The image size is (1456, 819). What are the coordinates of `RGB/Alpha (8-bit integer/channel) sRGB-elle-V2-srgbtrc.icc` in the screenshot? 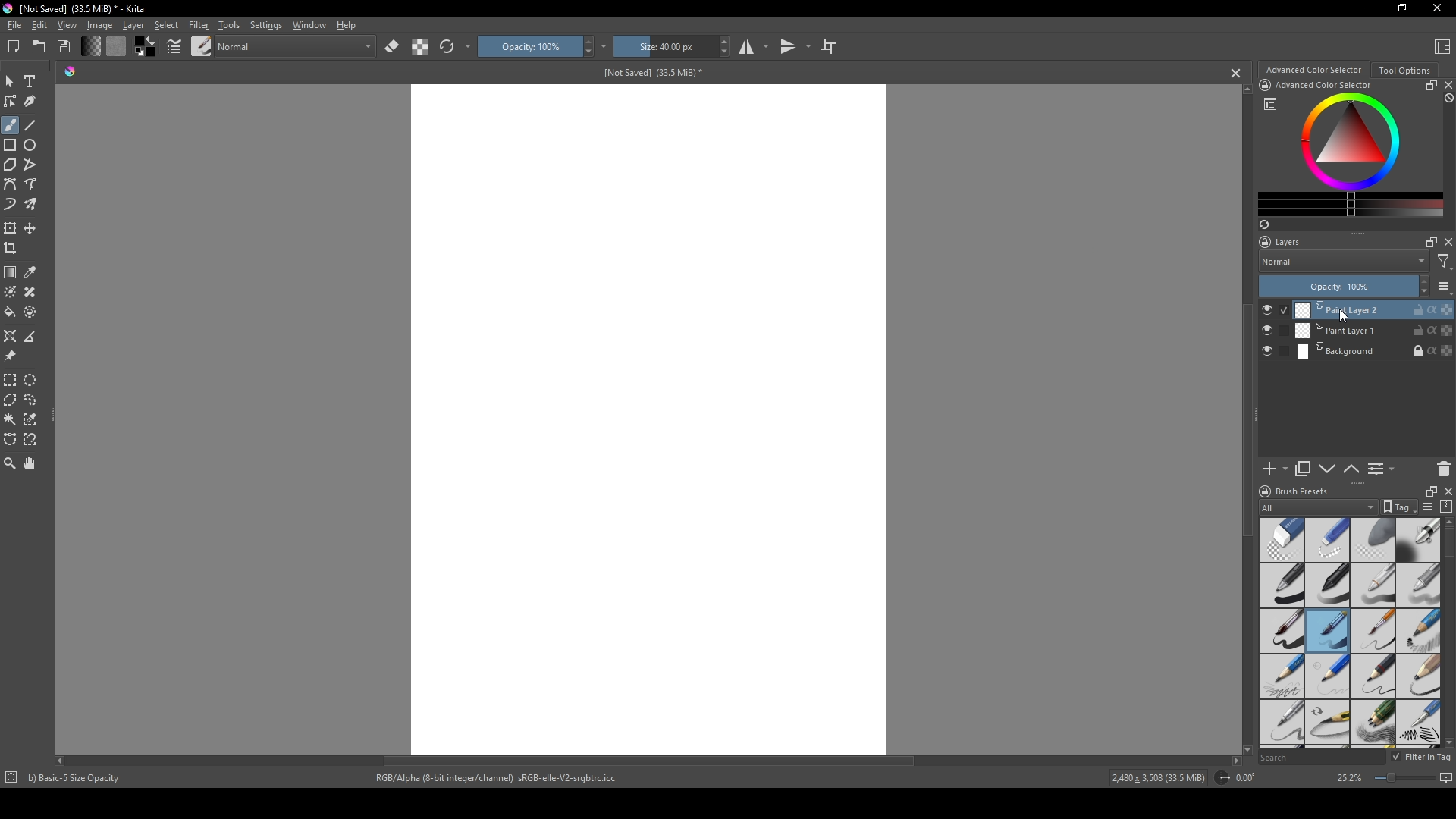 It's located at (503, 778).